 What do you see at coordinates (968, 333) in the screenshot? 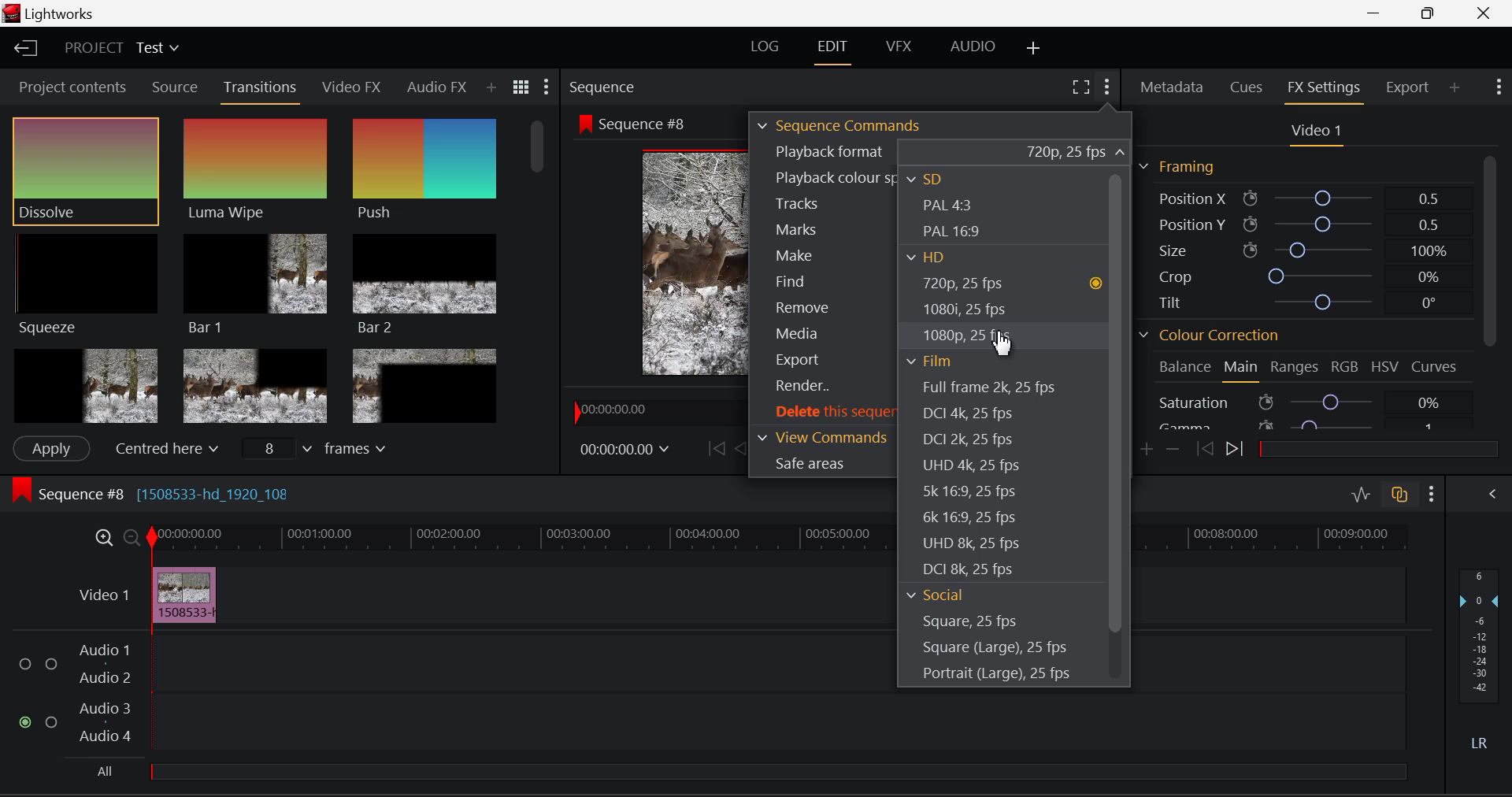
I see `Cursor on 1080p, 25fps` at bounding box center [968, 333].